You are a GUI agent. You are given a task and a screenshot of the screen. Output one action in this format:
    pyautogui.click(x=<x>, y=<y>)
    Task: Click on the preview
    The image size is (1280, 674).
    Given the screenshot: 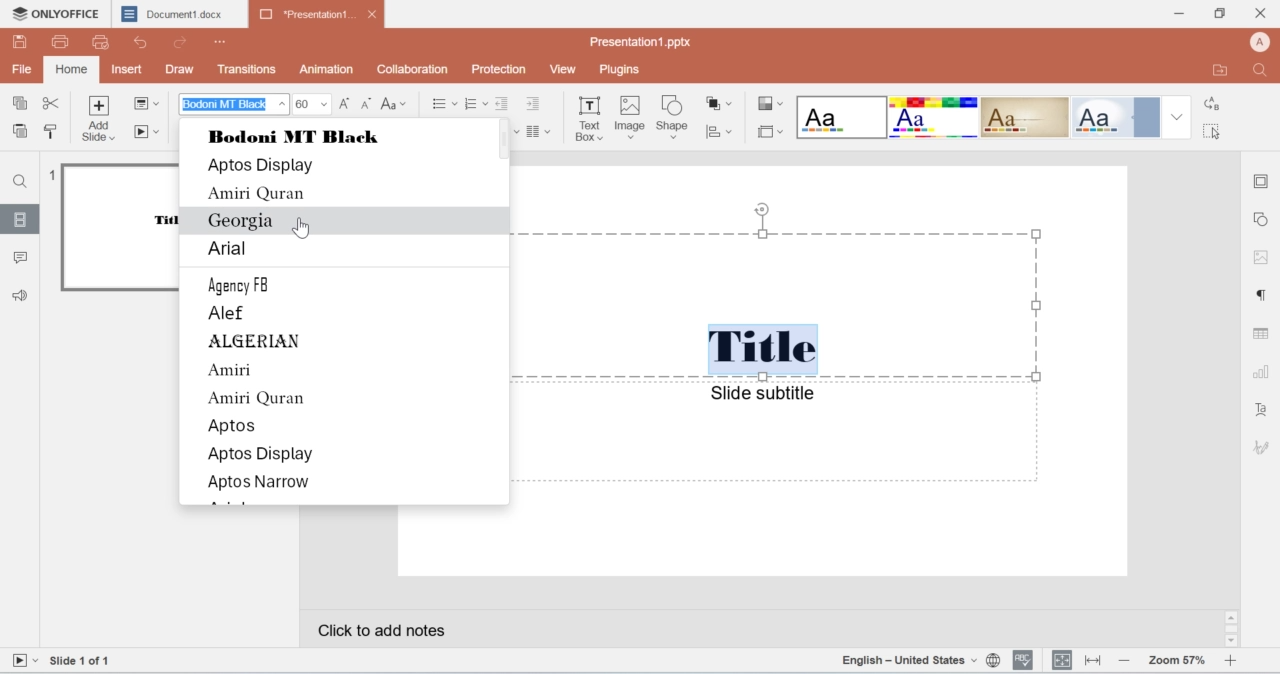 What is the action you would take?
    pyautogui.click(x=120, y=228)
    